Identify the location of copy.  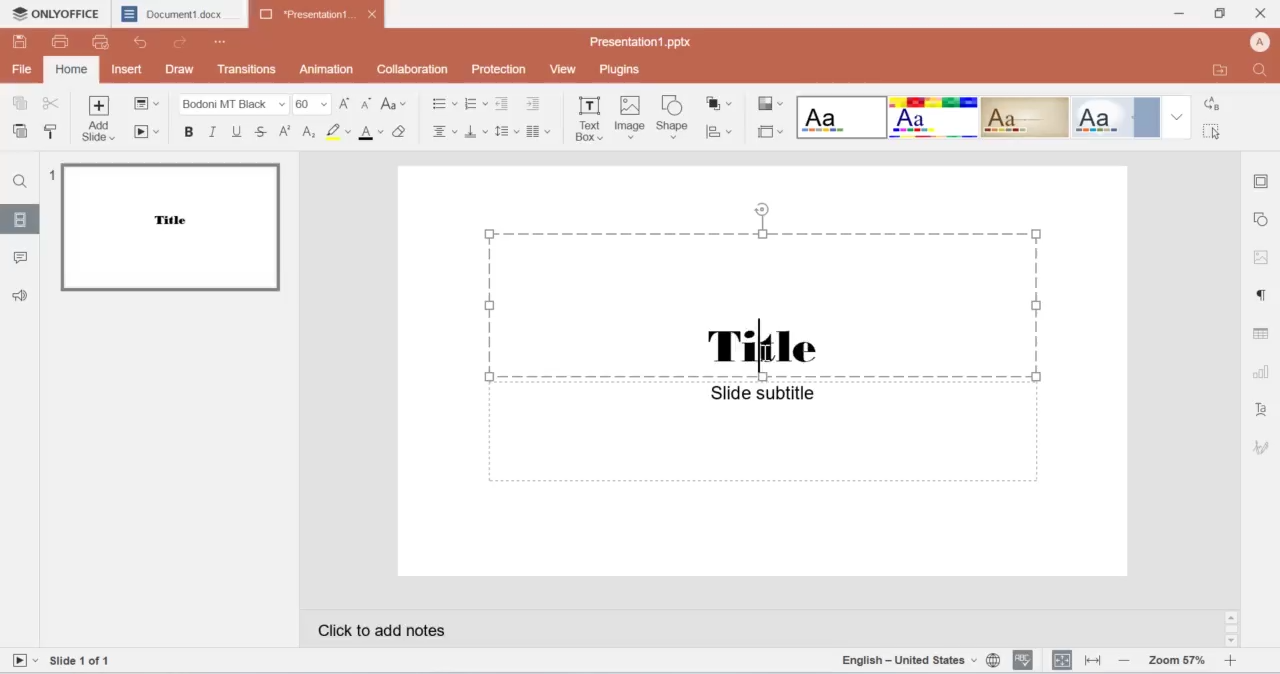
(23, 105).